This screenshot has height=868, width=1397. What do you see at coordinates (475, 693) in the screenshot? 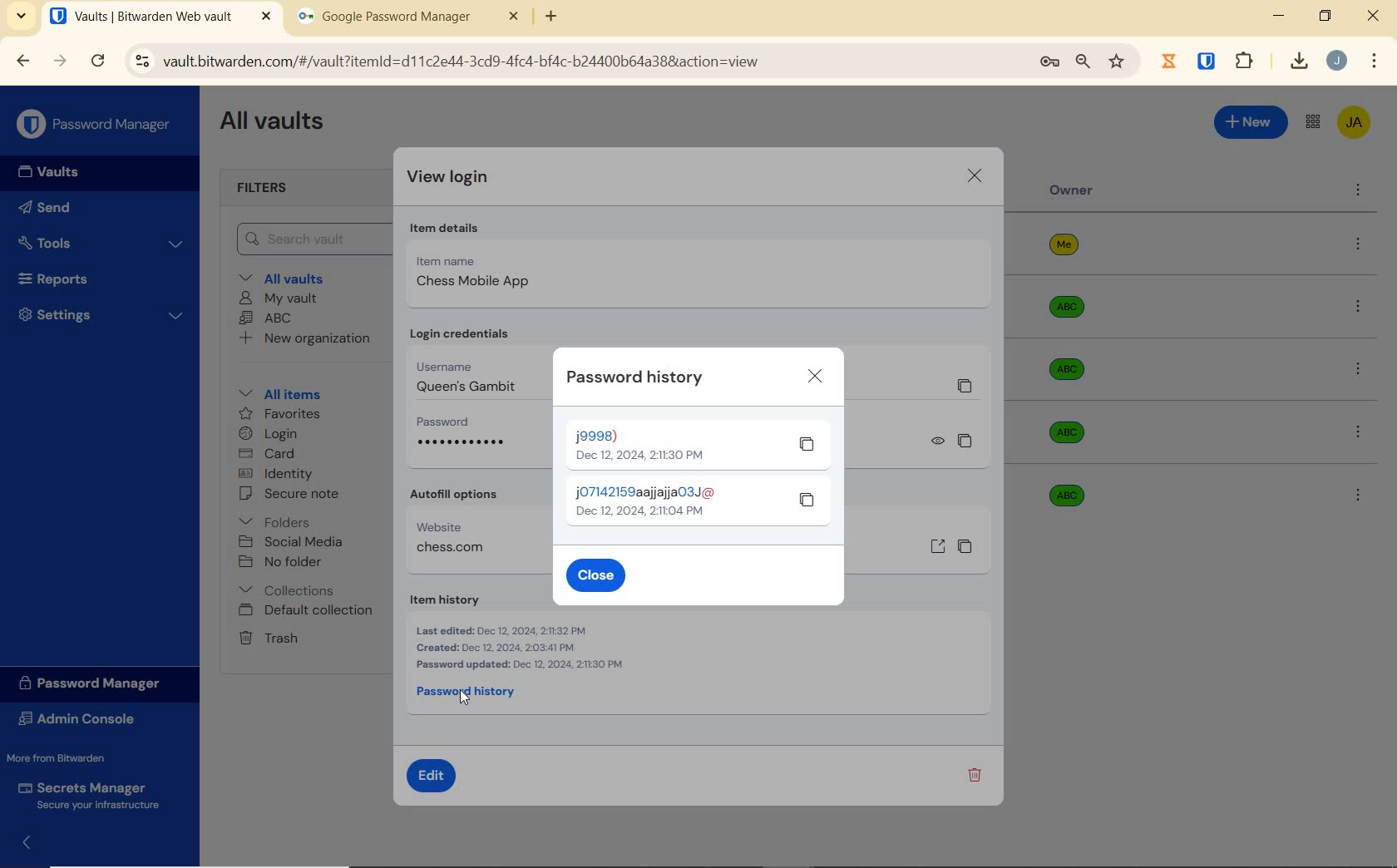
I see `Password history` at bounding box center [475, 693].